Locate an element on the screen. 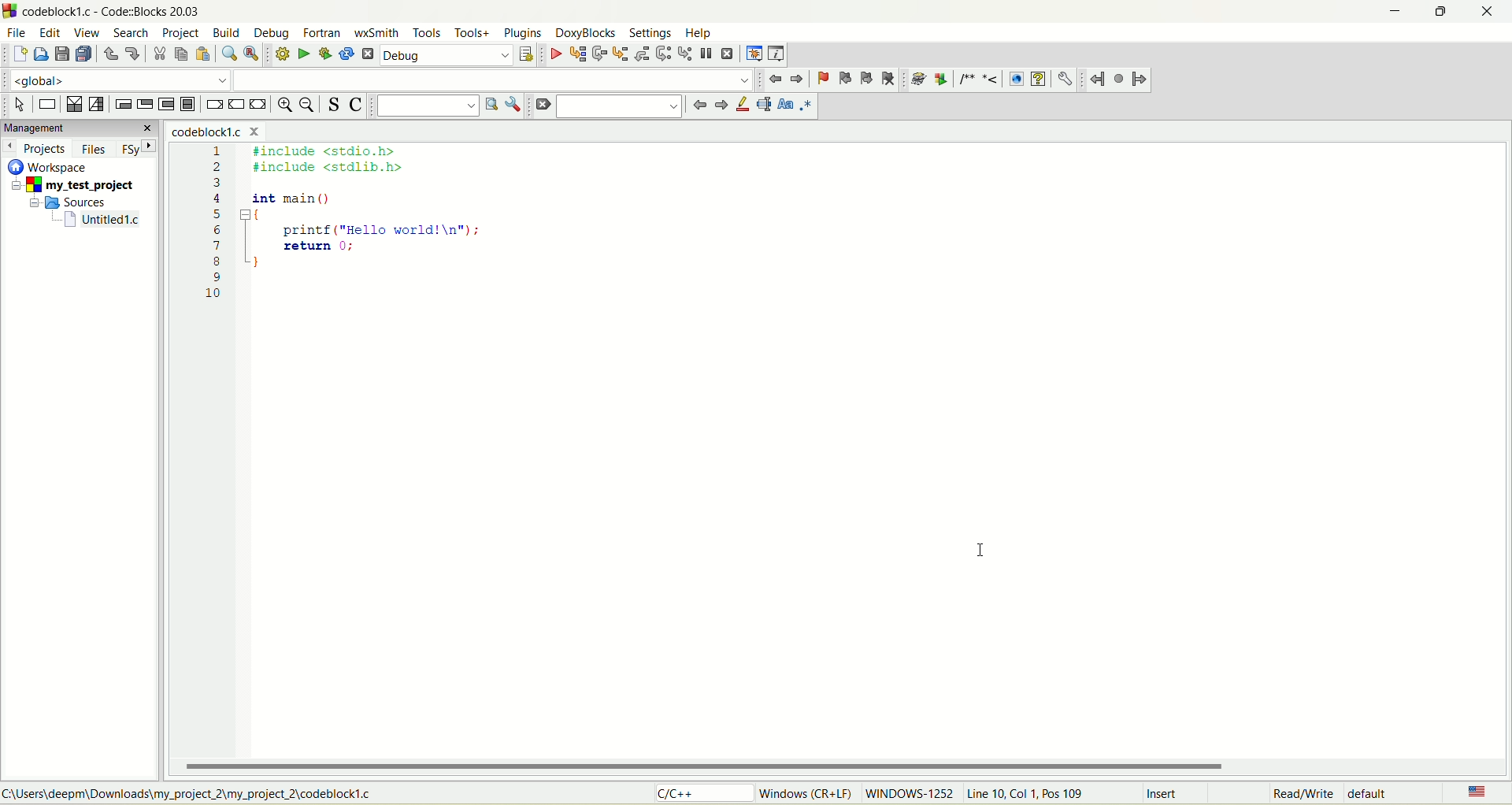 The height and width of the screenshot is (805, 1512). copy is located at coordinates (180, 54).